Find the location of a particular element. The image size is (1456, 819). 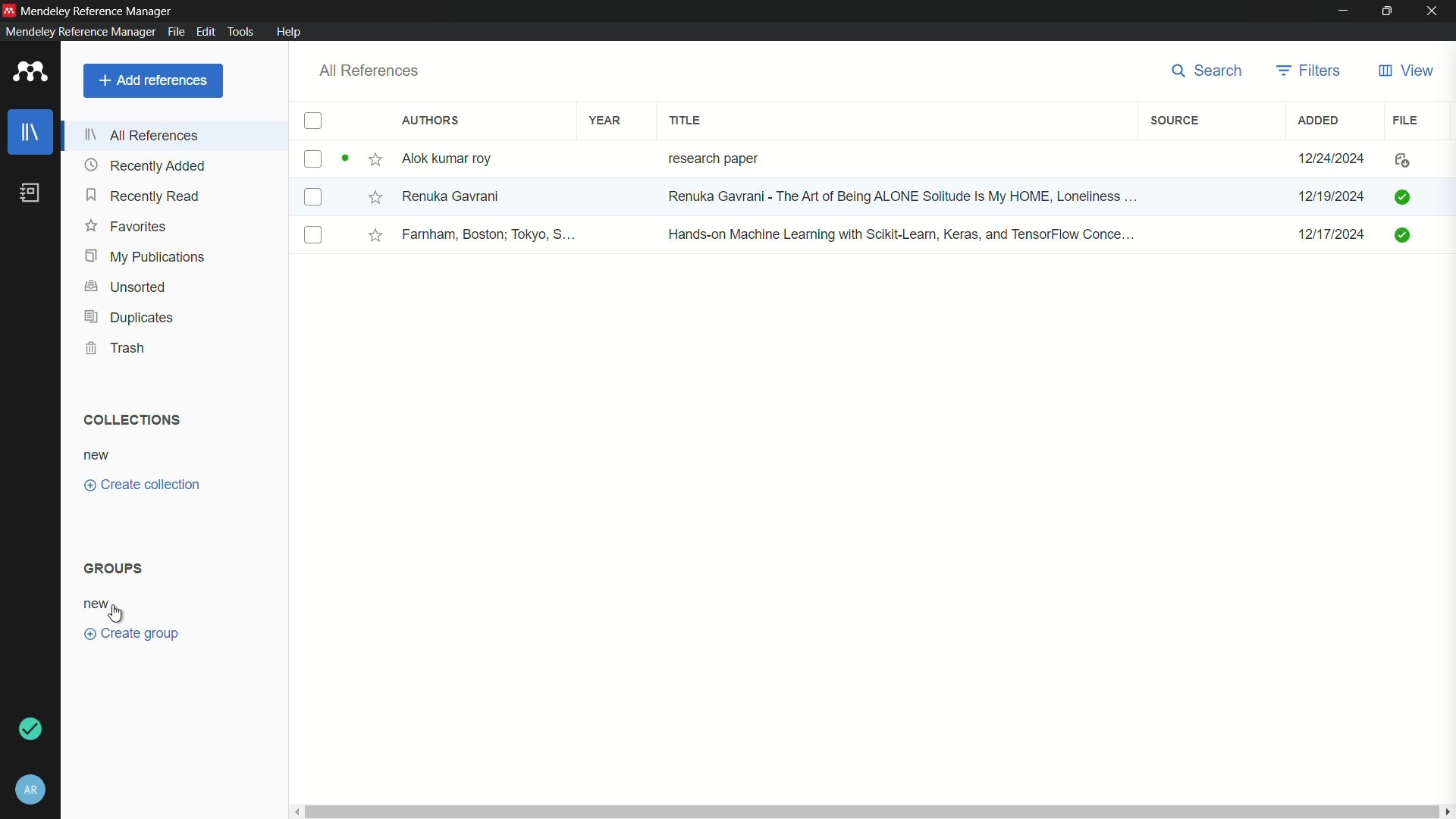

book-2 is located at coordinates (315, 199).